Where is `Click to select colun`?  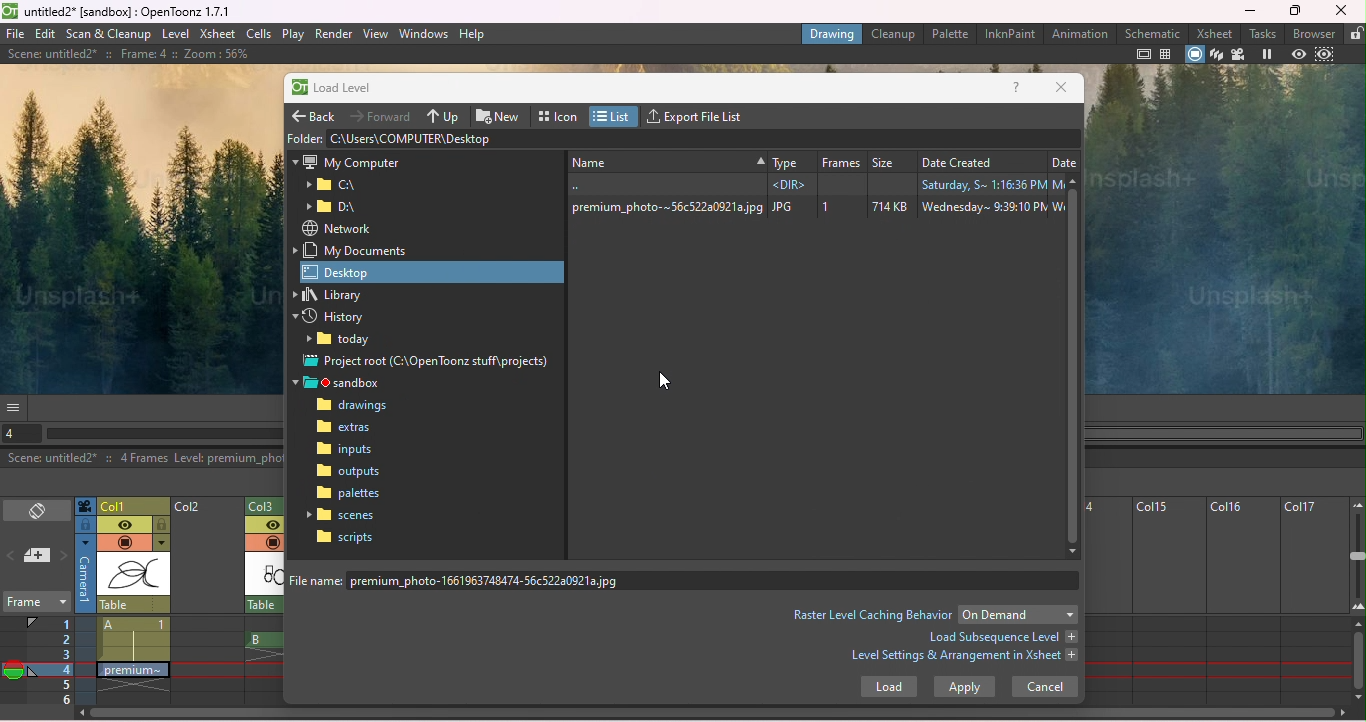
Click to select colun is located at coordinates (134, 505).